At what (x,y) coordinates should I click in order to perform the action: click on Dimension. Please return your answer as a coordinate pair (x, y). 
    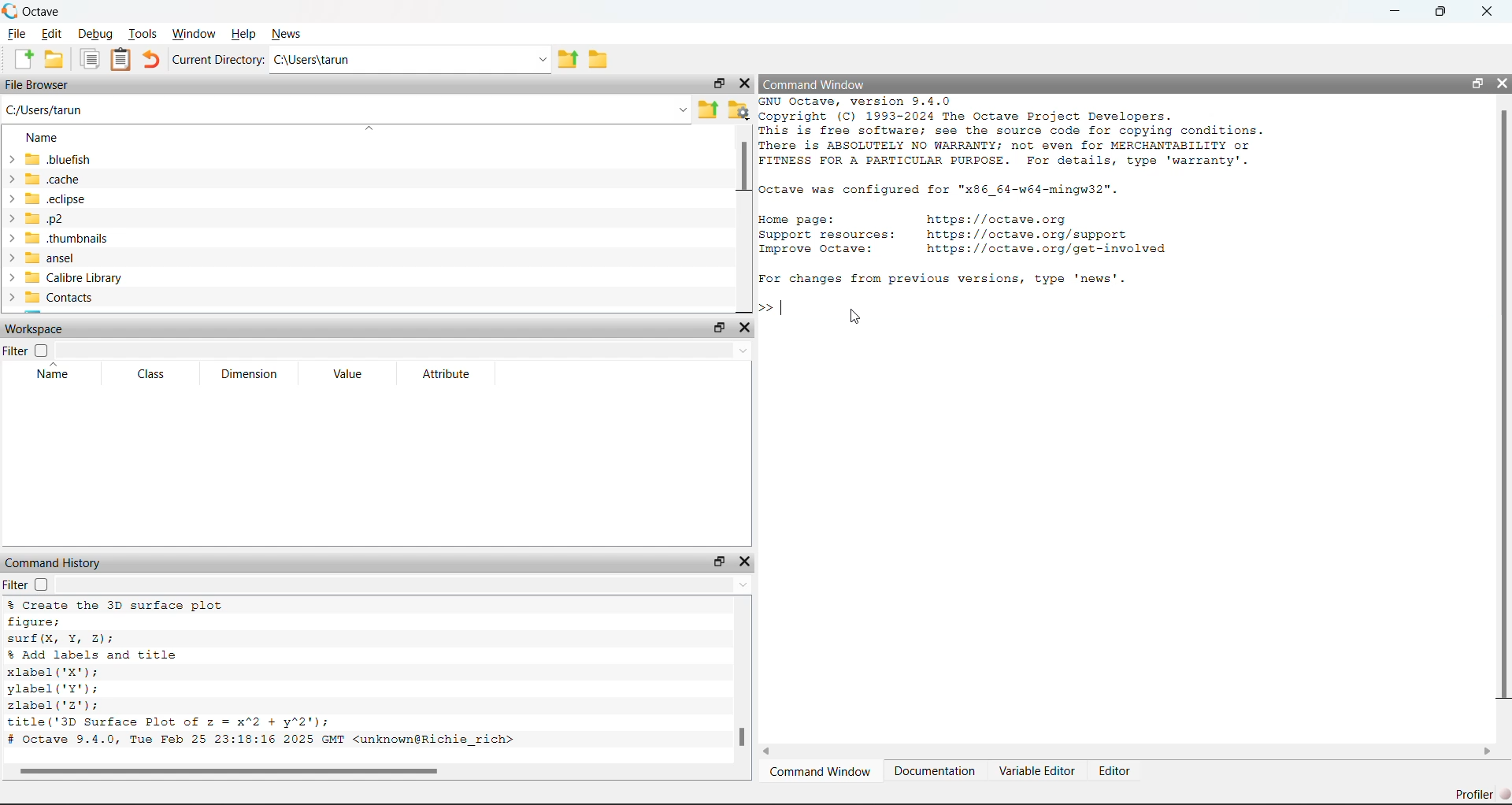
    Looking at the image, I should click on (248, 374).